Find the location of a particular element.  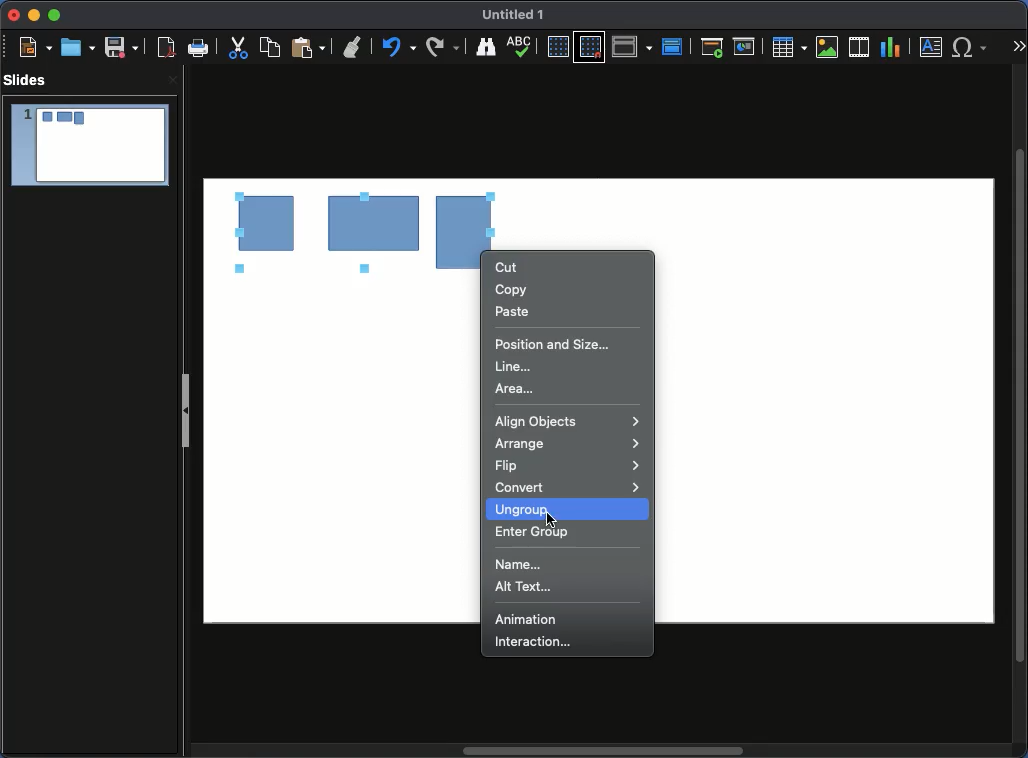

Name is located at coordinates (515, 13).